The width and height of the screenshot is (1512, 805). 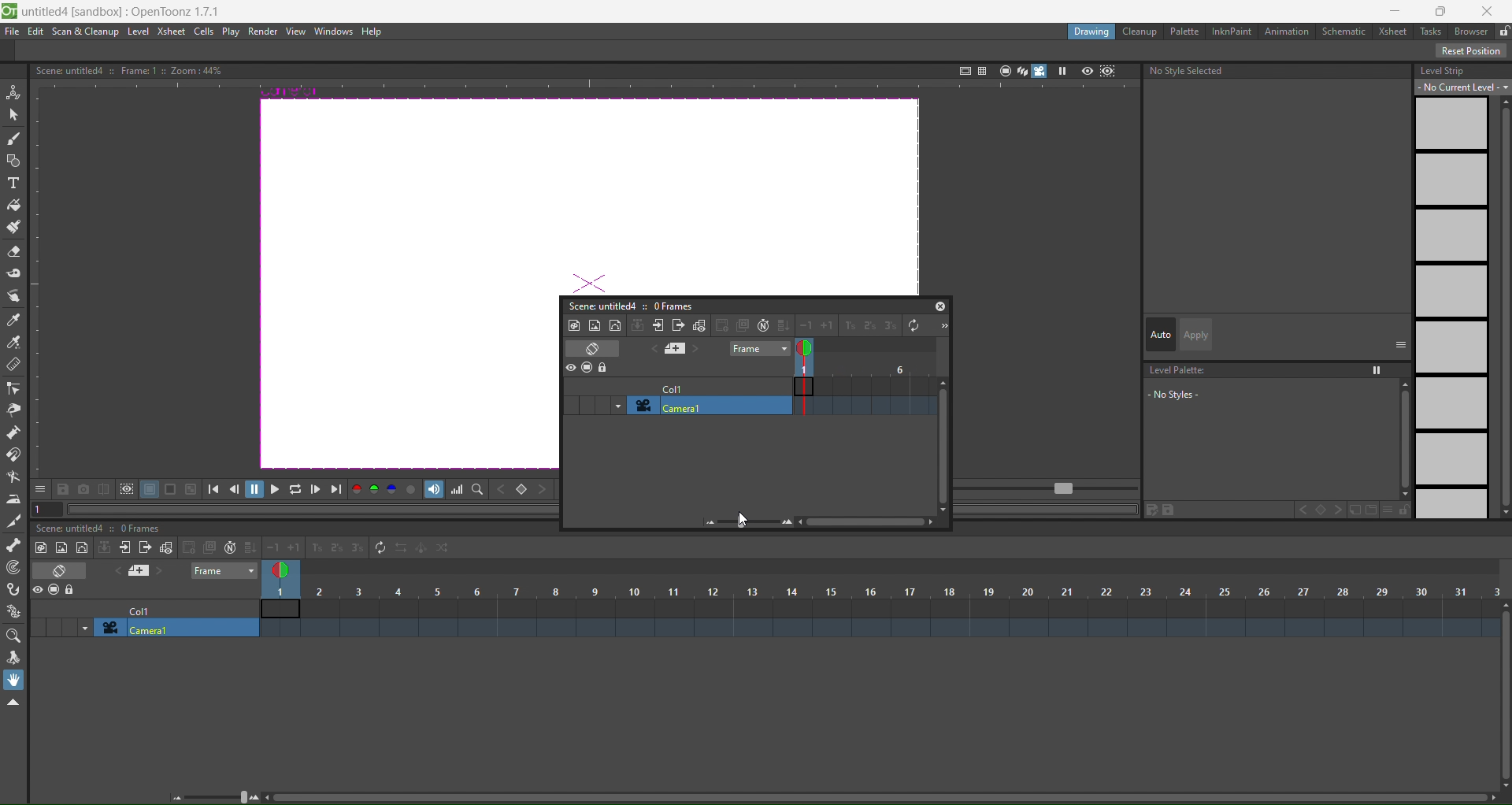 I want to click on hand tool, so click(x=17, y=680).